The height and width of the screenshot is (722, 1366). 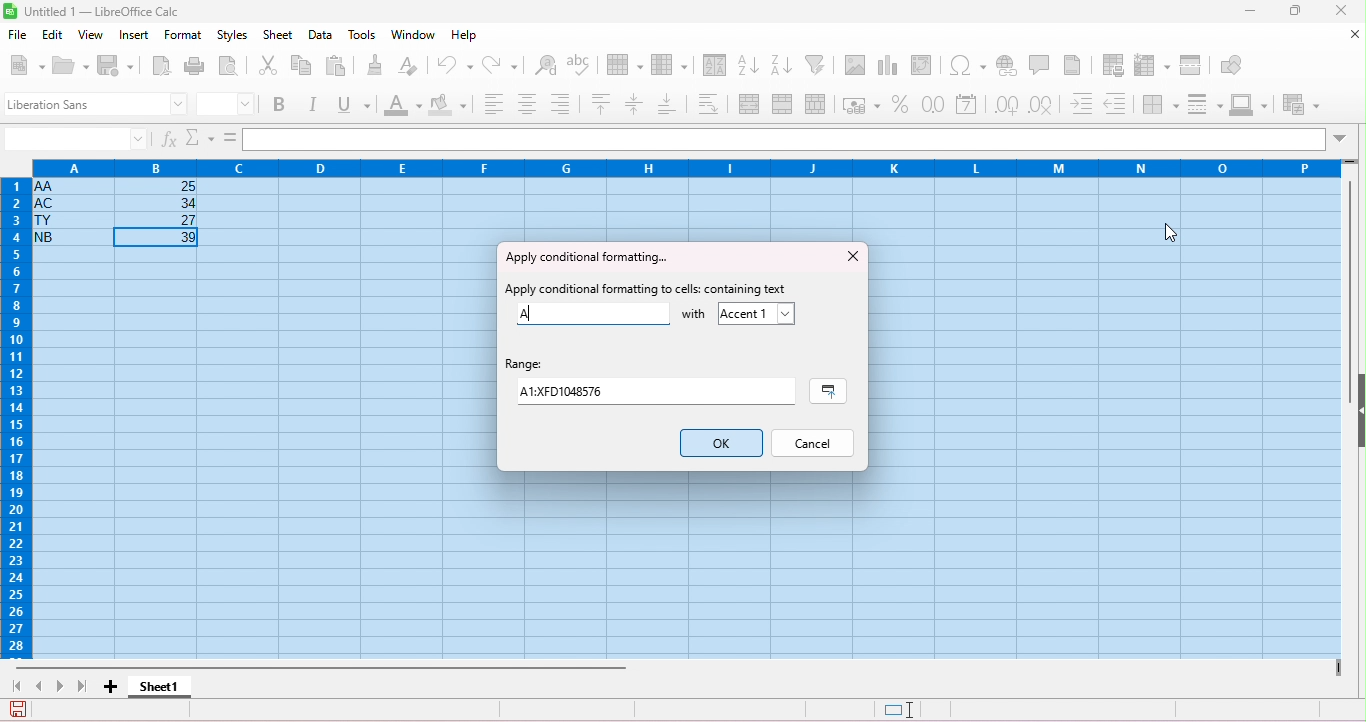 I want to click on drag to view rows, so click(x=1351, y=162).